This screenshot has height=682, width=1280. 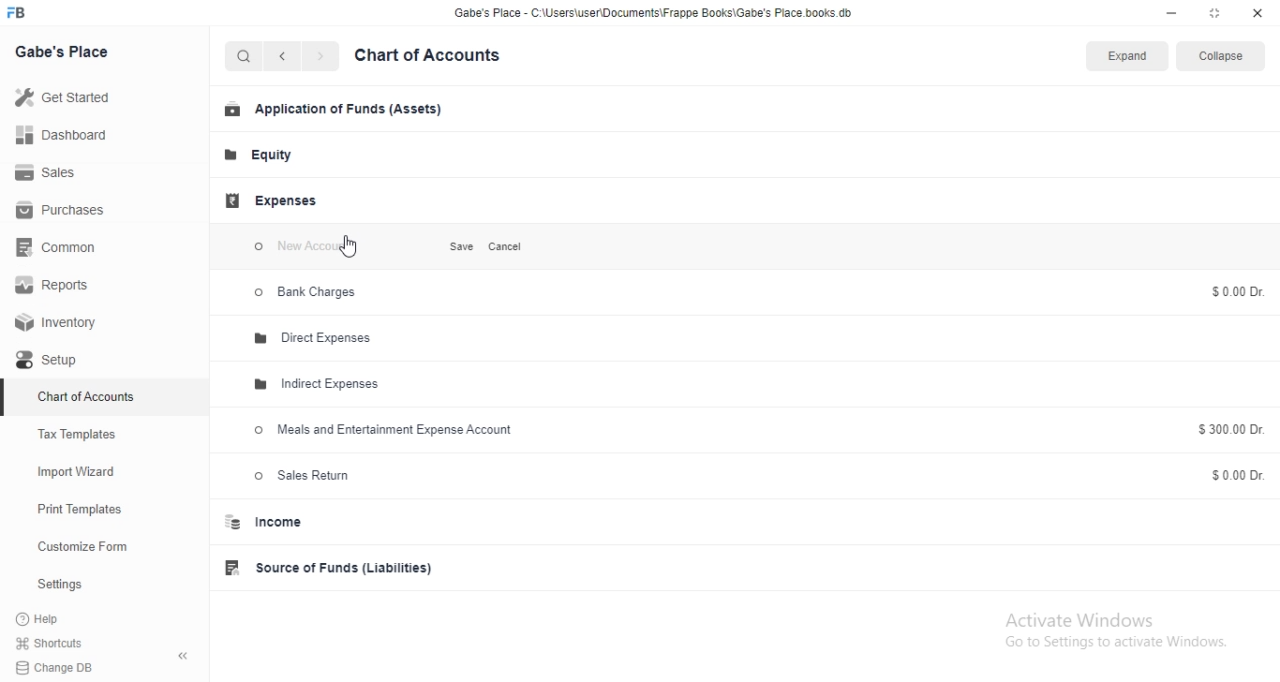 I want to click on Cursor, so click(x=362, y=248).